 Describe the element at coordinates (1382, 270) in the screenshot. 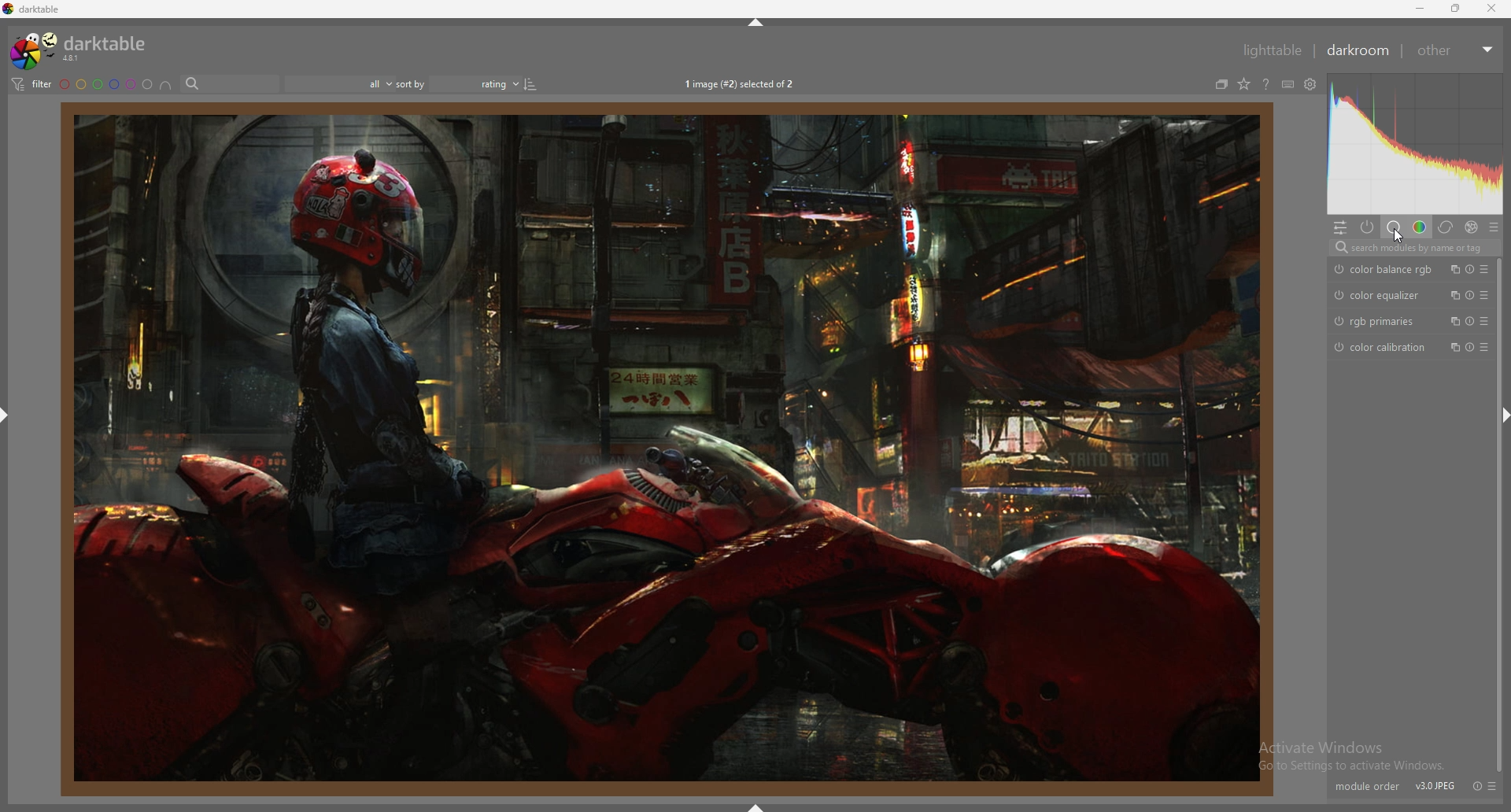

I see `color balance rgb` at that location.